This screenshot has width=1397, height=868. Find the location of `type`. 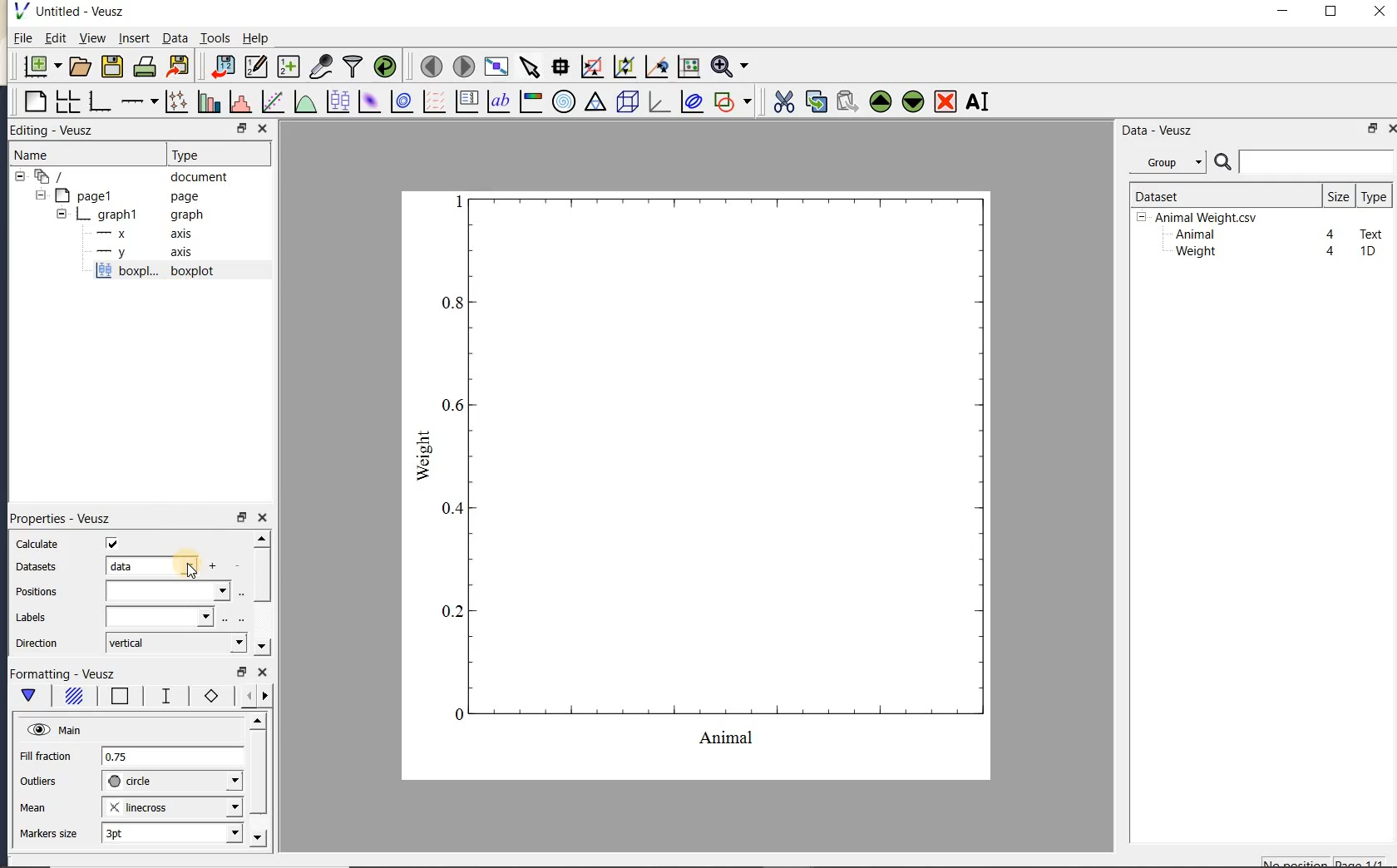

type is located at coordinates (1373, 196).